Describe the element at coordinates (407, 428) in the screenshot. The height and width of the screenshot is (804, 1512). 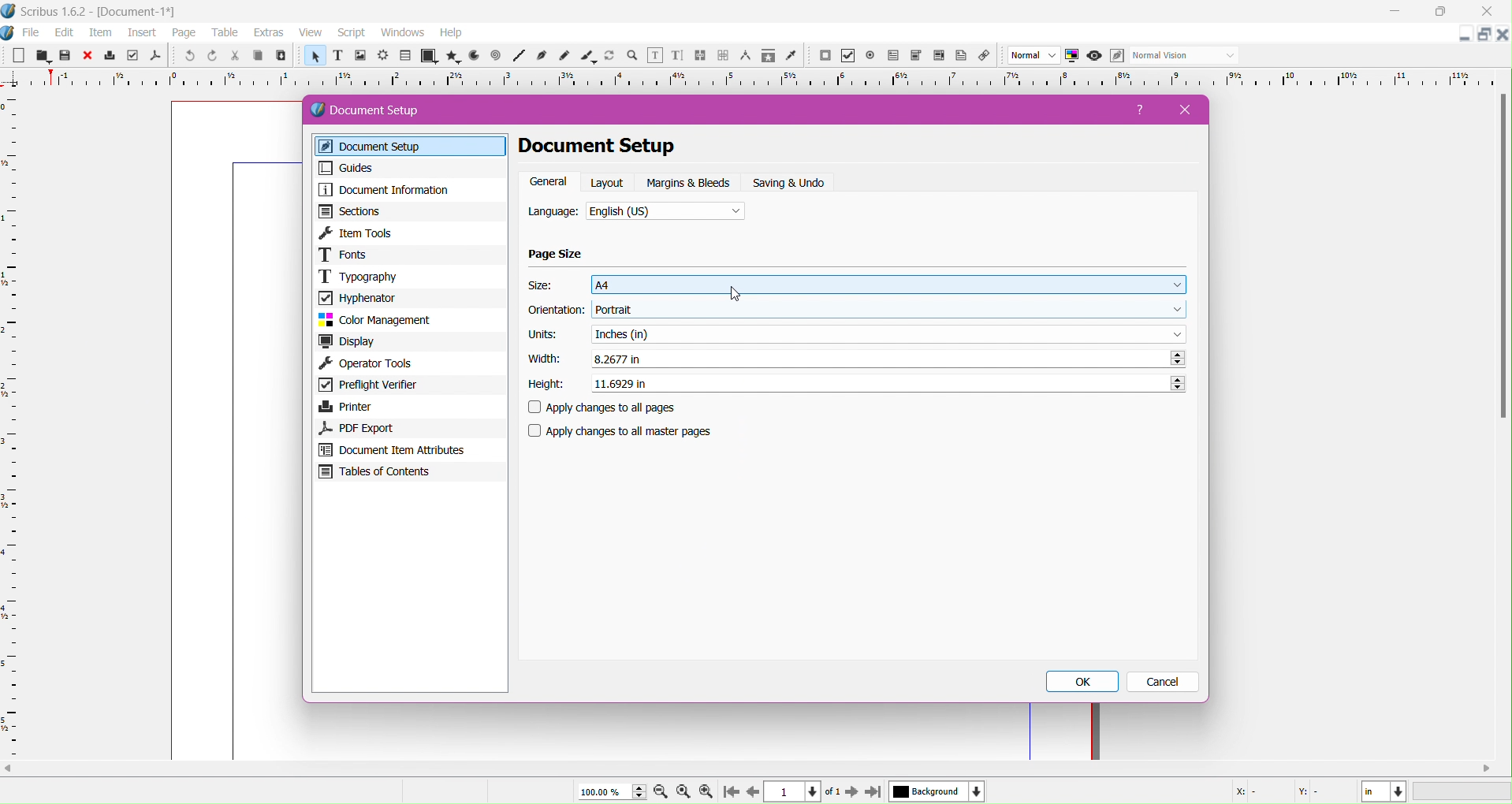
I see `PDF Export` at that location.